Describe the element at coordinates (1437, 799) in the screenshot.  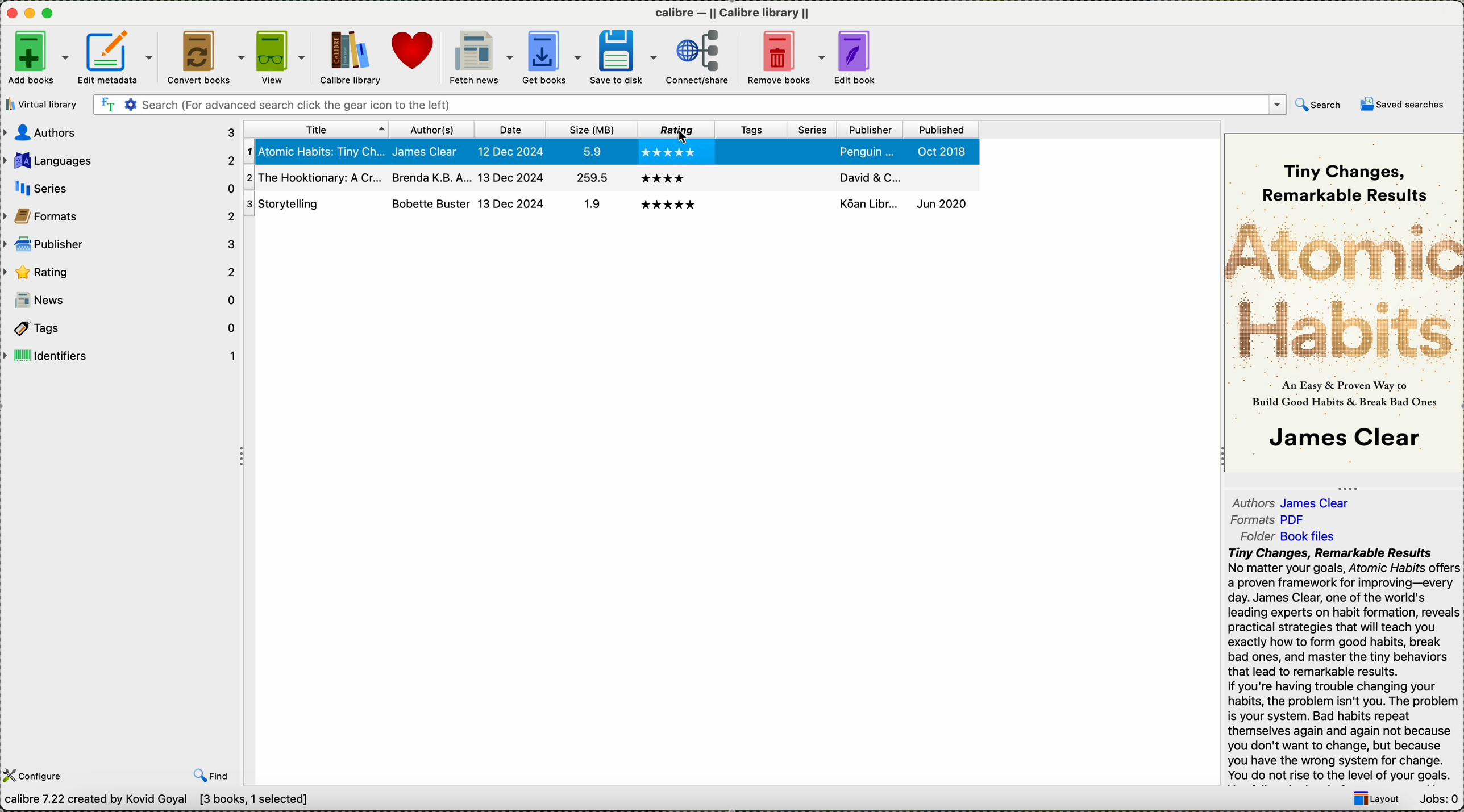
I see `Jobs: 0` at that location.